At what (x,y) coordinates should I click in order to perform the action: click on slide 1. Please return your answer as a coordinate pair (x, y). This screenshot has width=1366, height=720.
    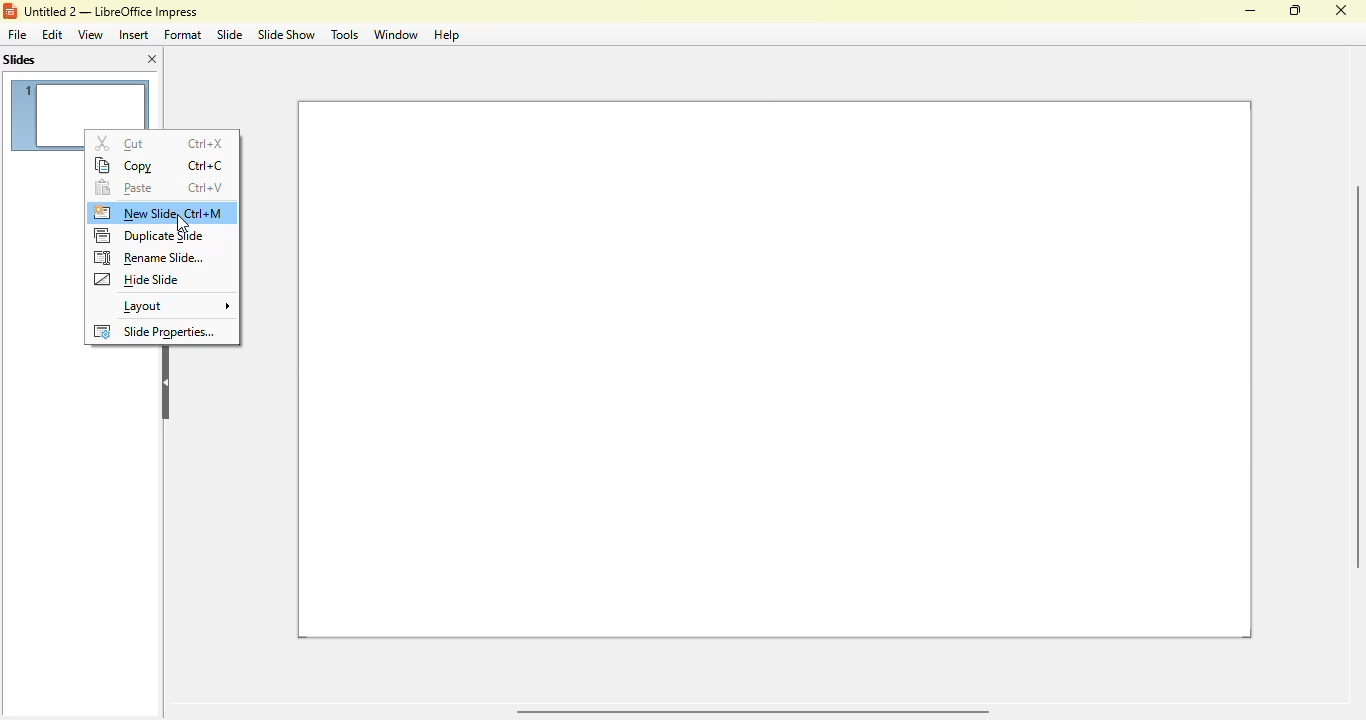
    Looking at the image, I should click on (79, 102).